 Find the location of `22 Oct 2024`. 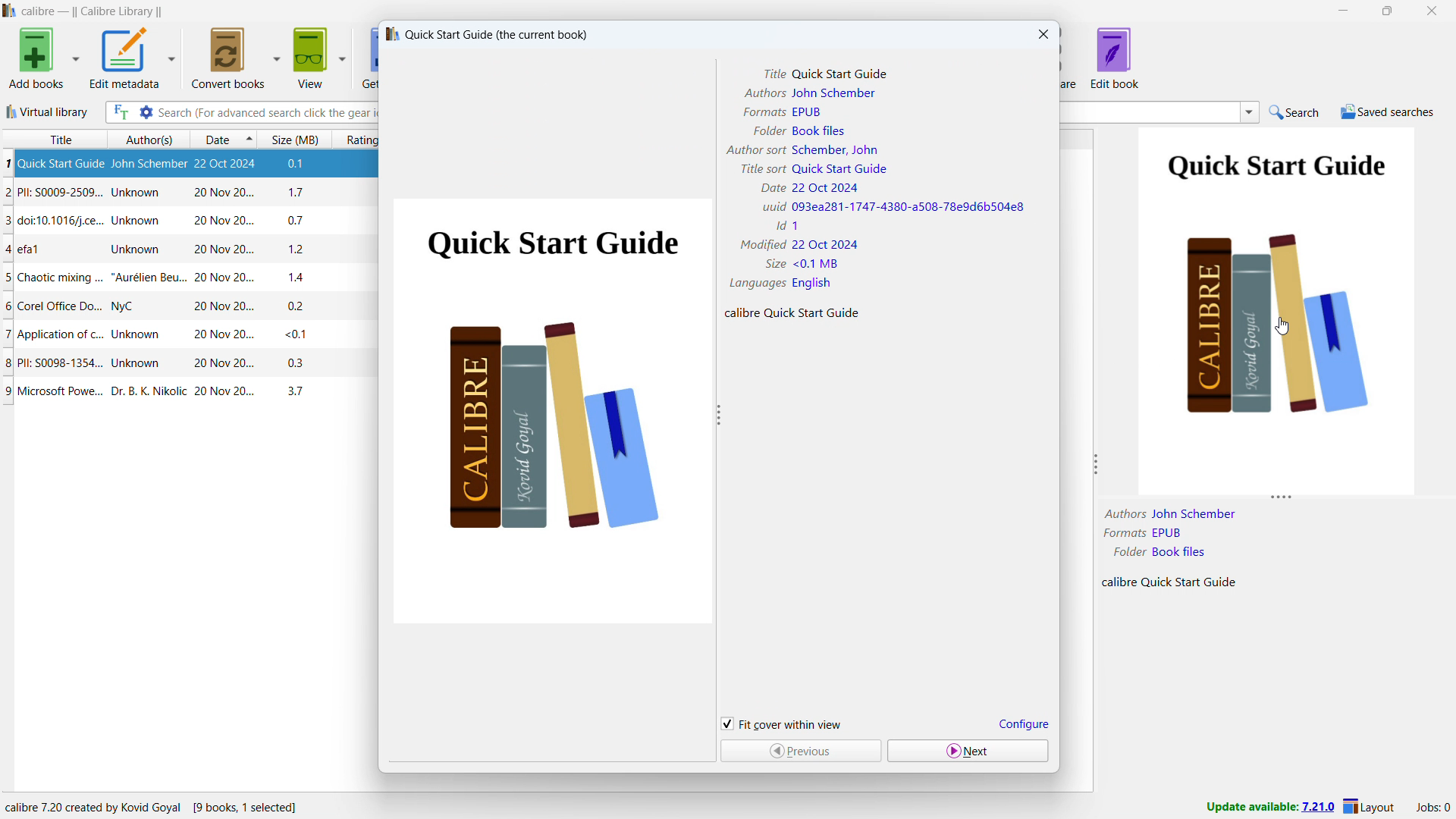

22 Oct 2024 is located at coordinates (826, 245).